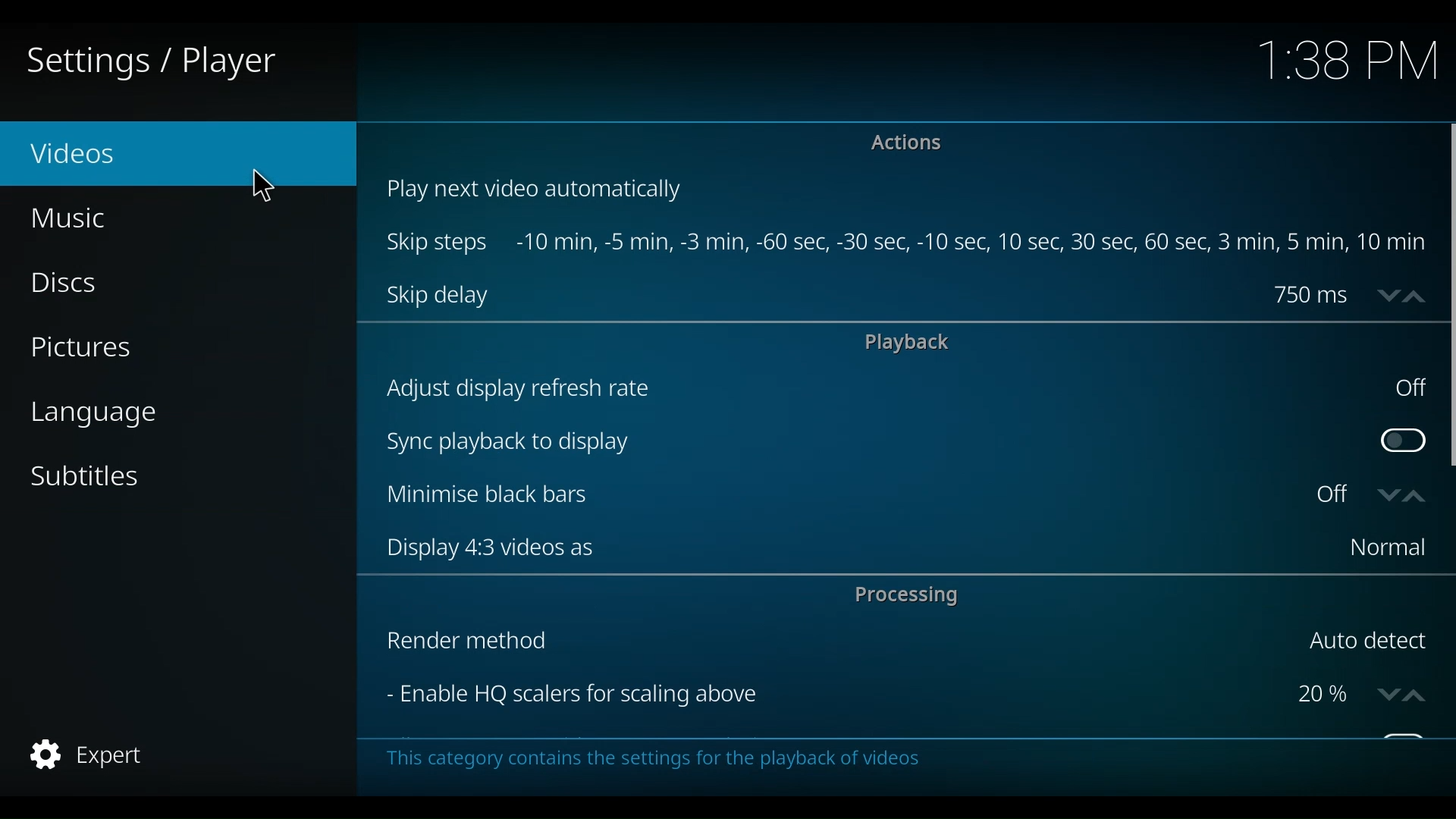  What do you see at coordinates (162, 61) in the screenshot?
I see `Settings / Player` at bounding box center [162, 61].